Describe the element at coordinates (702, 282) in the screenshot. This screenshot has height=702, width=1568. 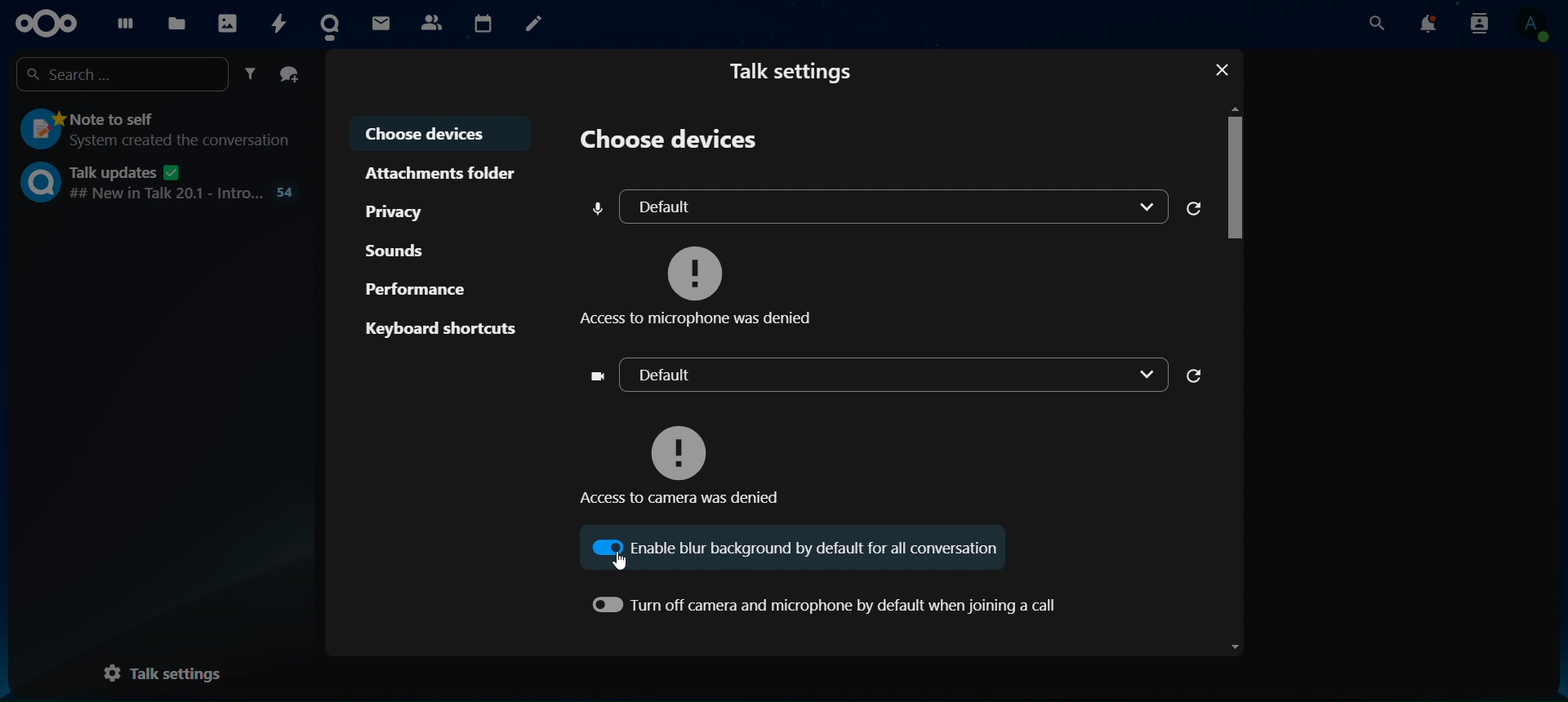
I see `access to microphone was denied` at that location.